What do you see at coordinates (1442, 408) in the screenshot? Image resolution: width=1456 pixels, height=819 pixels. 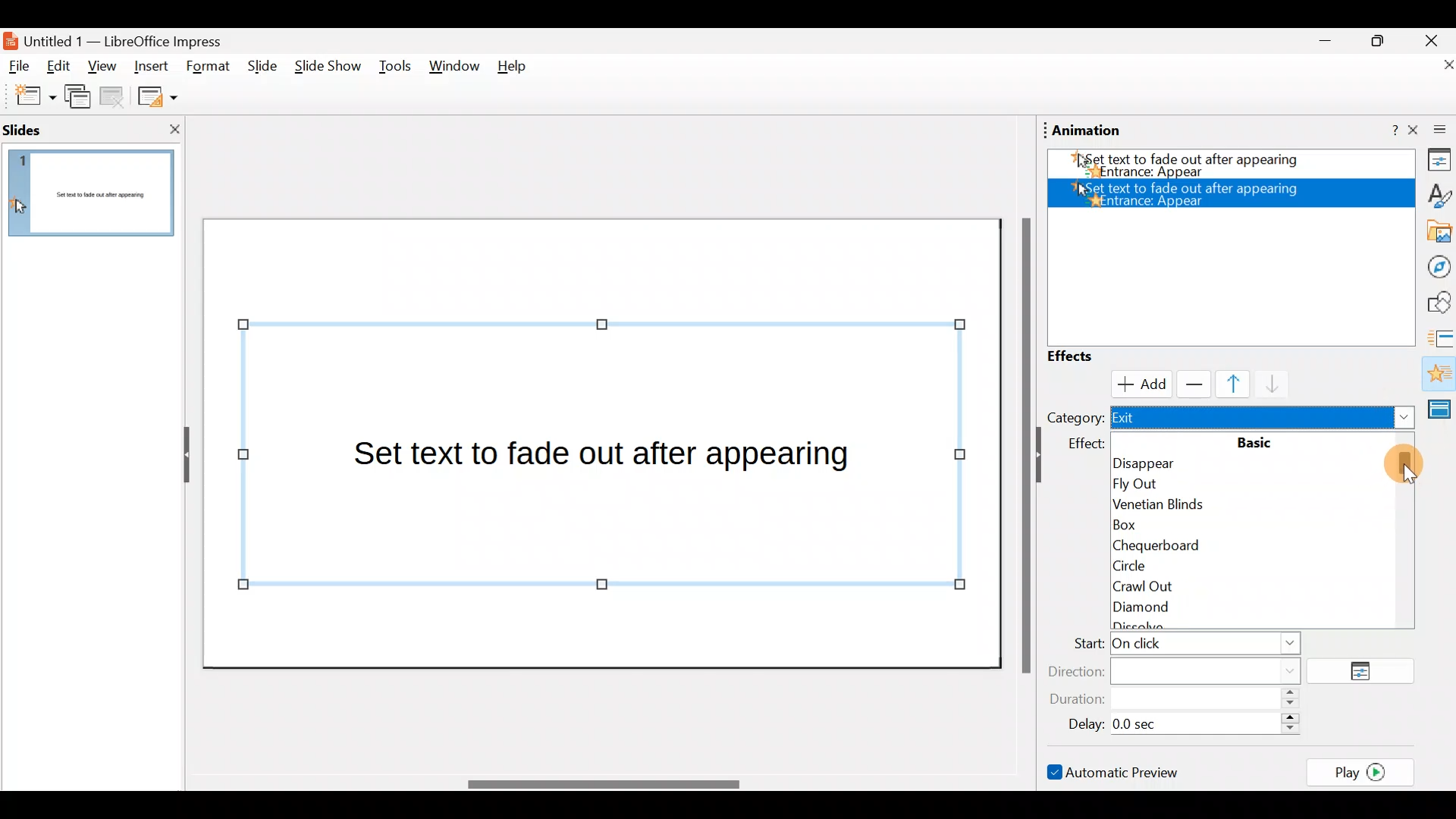 I see `Master slides` at bounding box center [1442, 408].